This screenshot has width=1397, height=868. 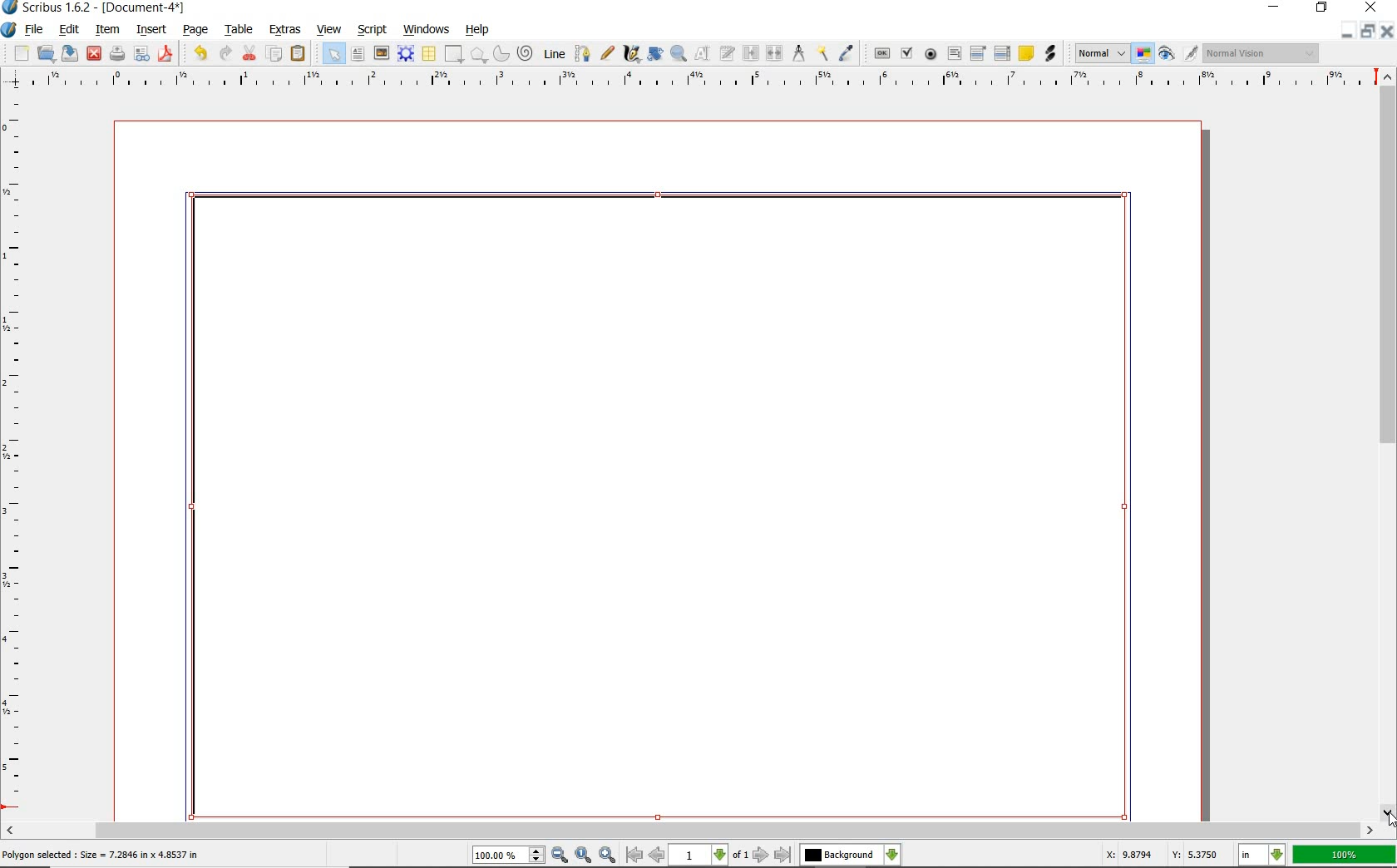 I want to click on edit text with story editor, so click(x=726, y=54).